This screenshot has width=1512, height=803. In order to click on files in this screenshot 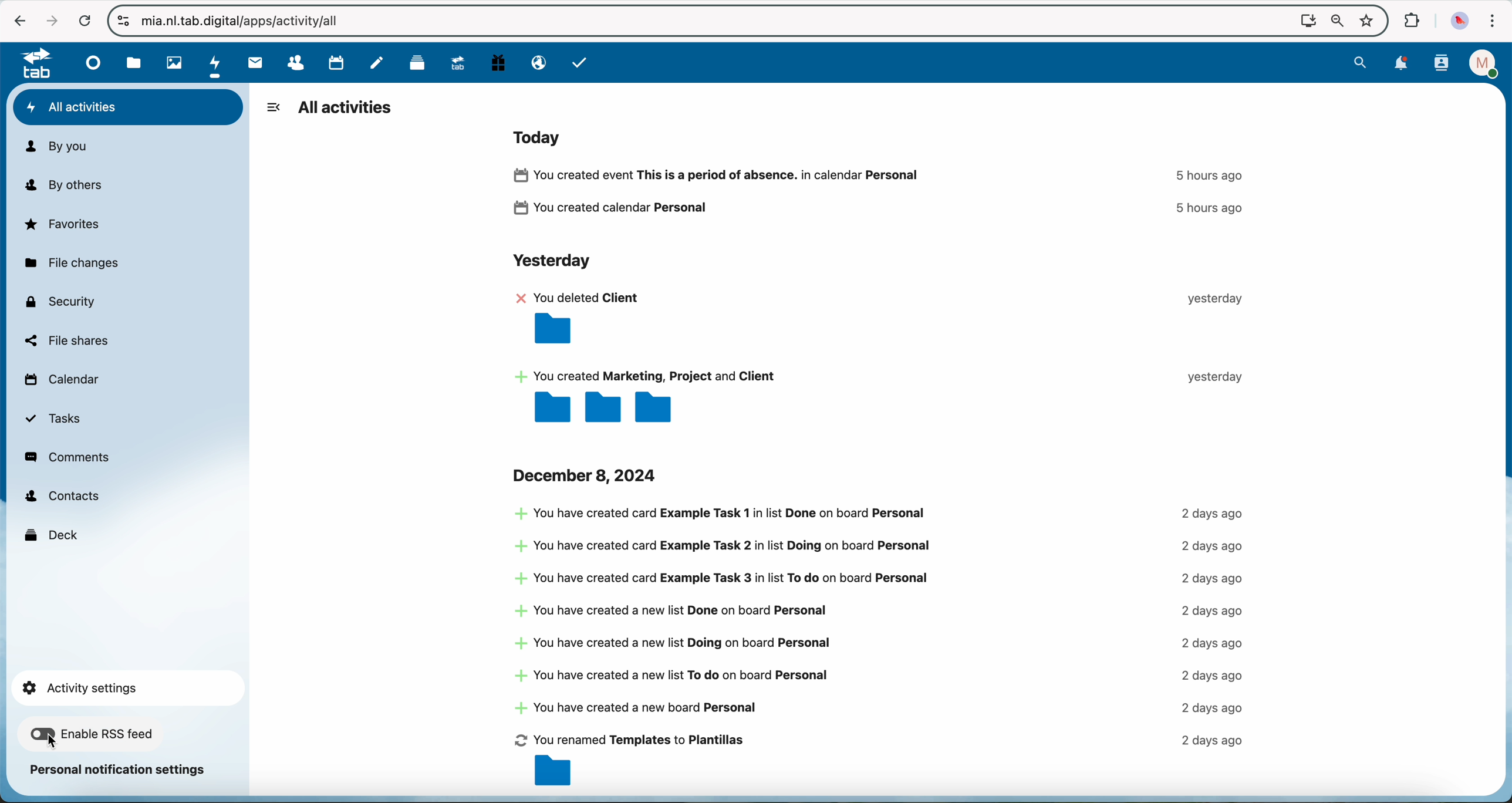, I will do `click(134, 63)`.